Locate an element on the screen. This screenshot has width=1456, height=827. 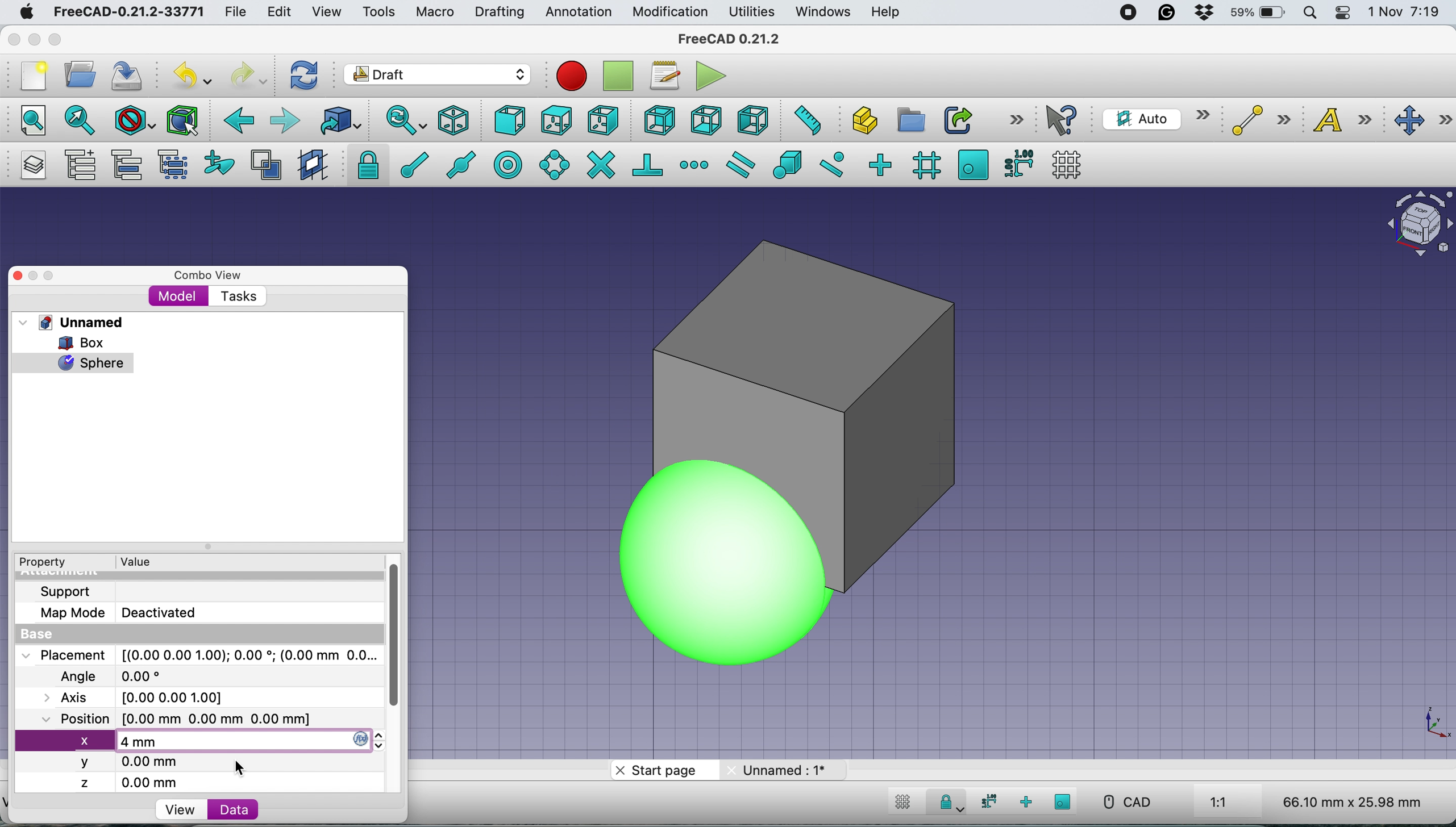
model is located at coordinates (178, 295).